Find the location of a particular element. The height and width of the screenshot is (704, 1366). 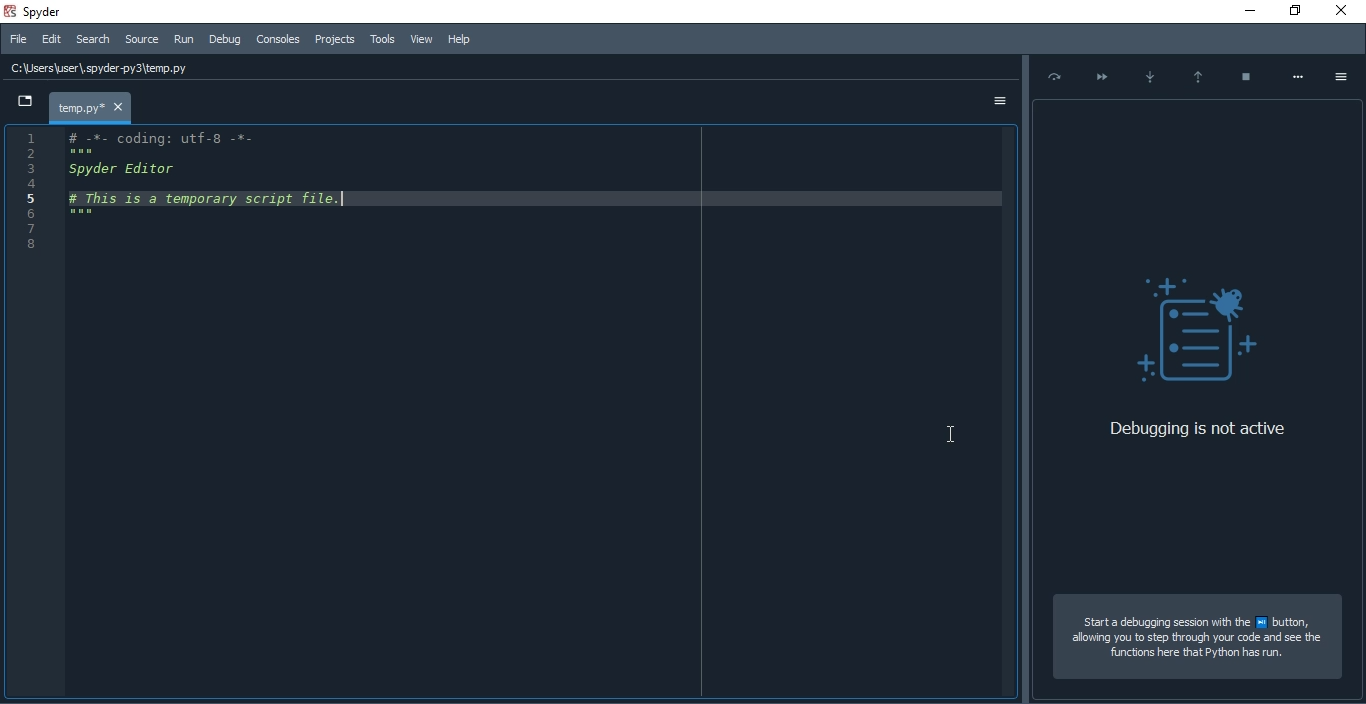

restore is located at coordinates (1294, 11).